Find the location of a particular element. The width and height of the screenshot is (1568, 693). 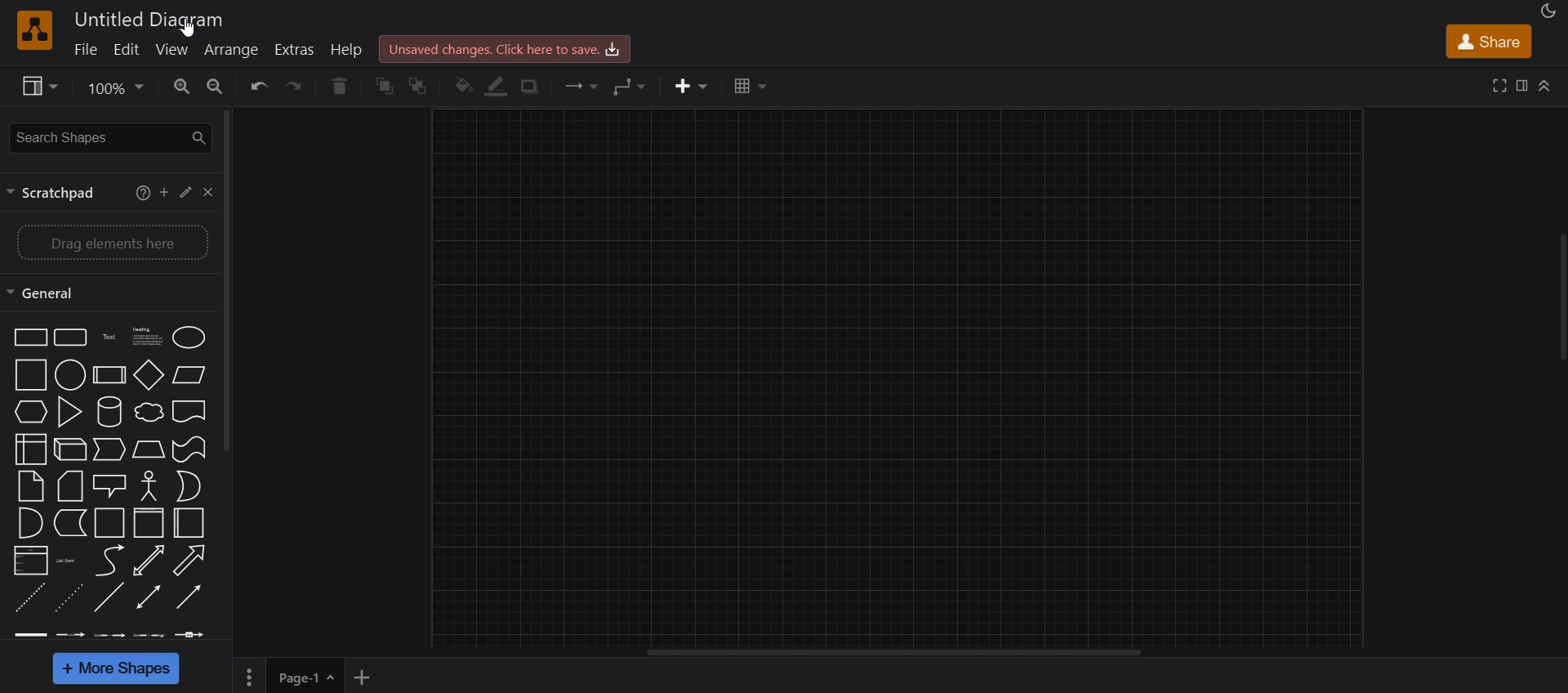

table is located at coordinates (747, 87).